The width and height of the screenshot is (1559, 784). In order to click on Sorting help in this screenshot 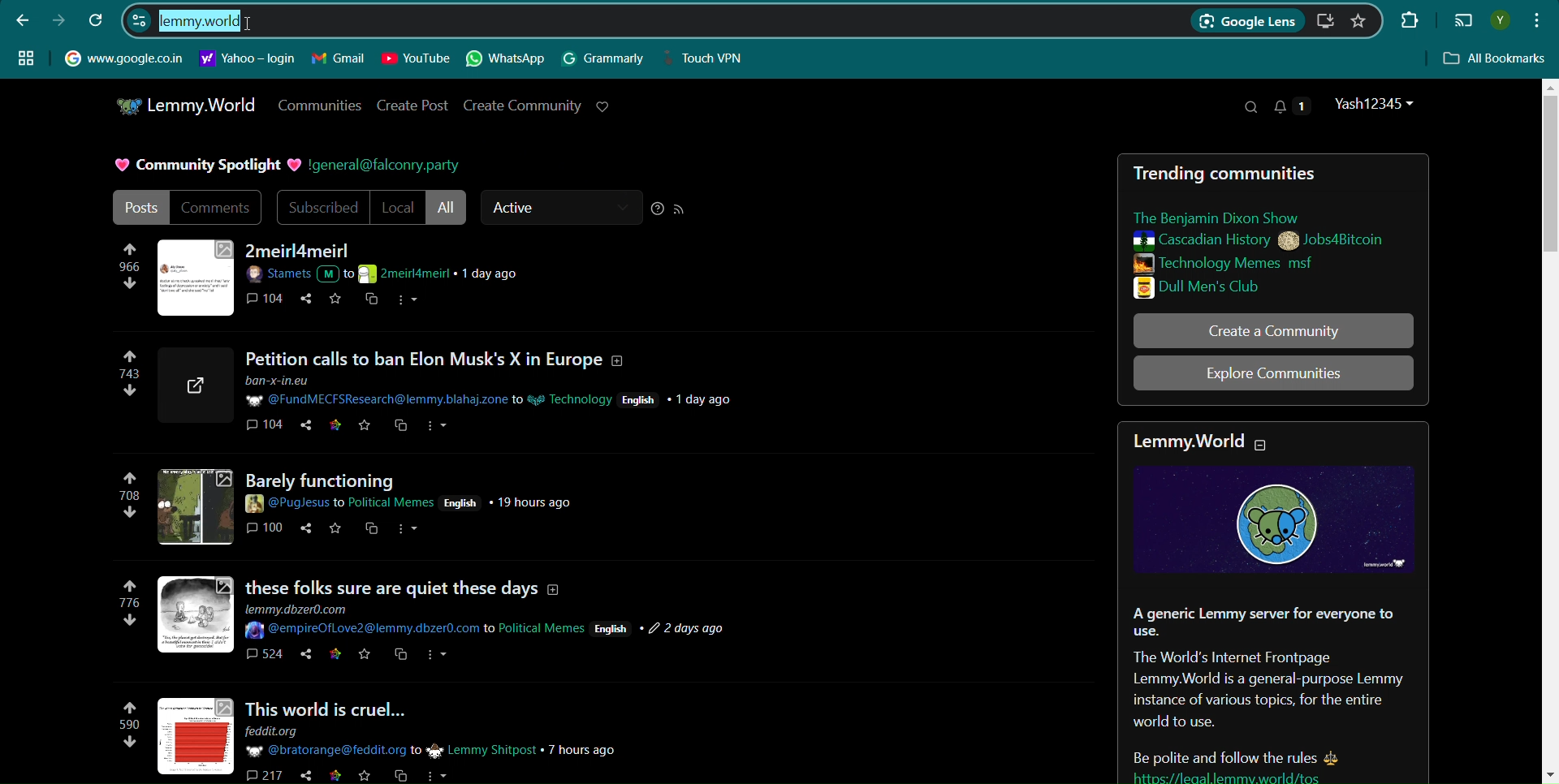, I will do `click(658, 209)`.